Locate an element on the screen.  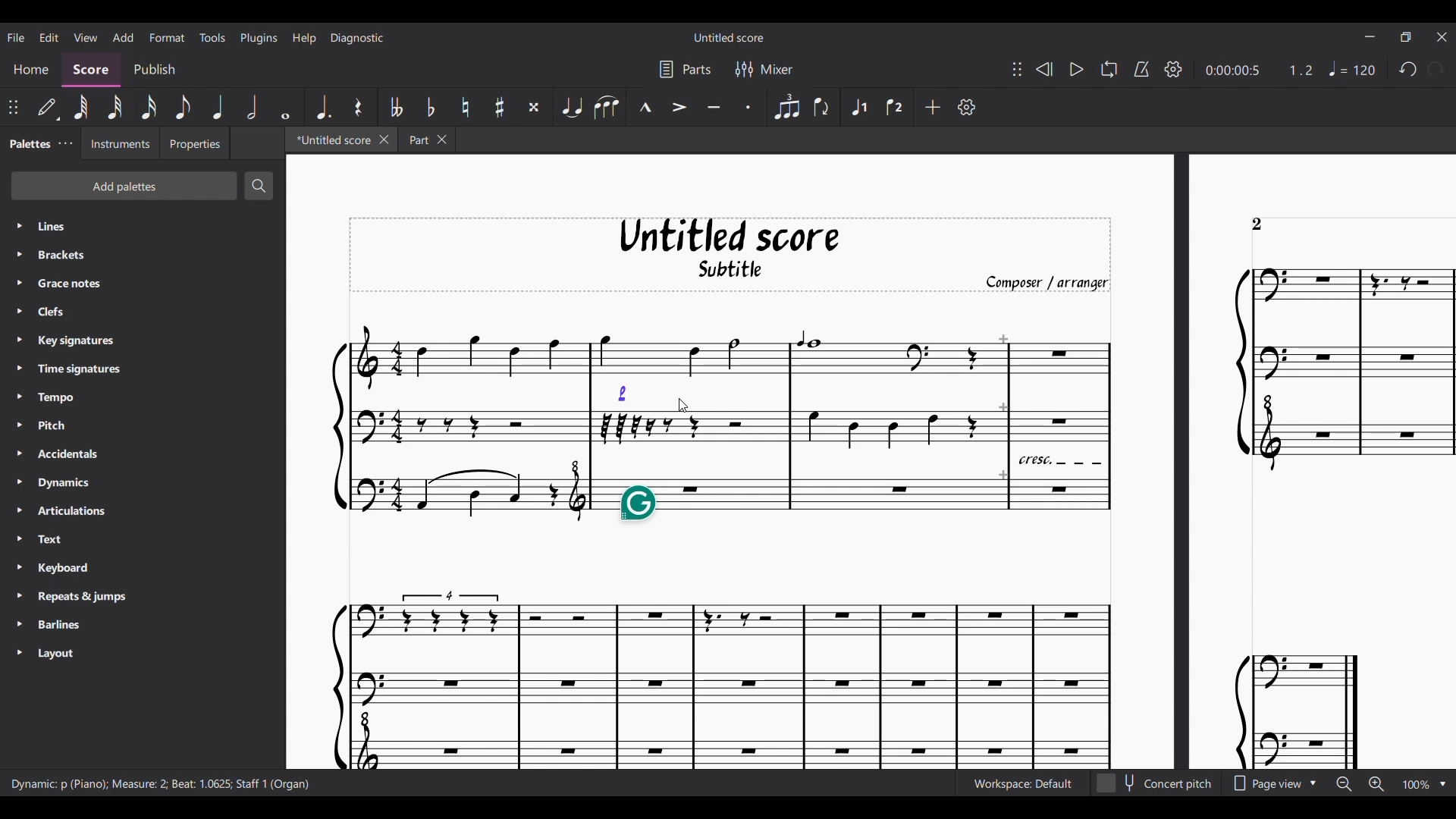
Cursor position unchanged is located at coordinates (682, 405).